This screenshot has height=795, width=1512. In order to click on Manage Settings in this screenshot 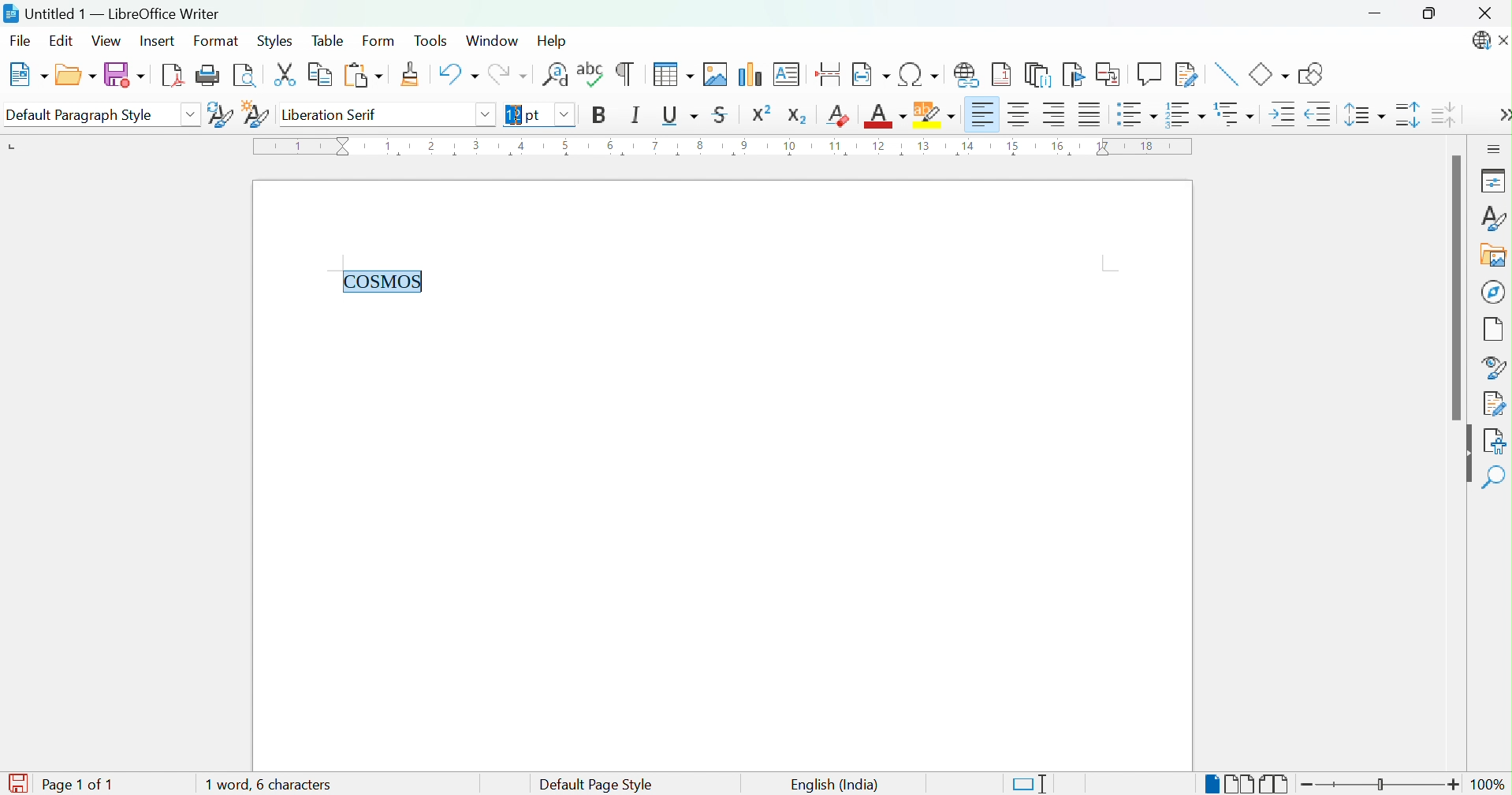, I will do `click(1494, 402)`.